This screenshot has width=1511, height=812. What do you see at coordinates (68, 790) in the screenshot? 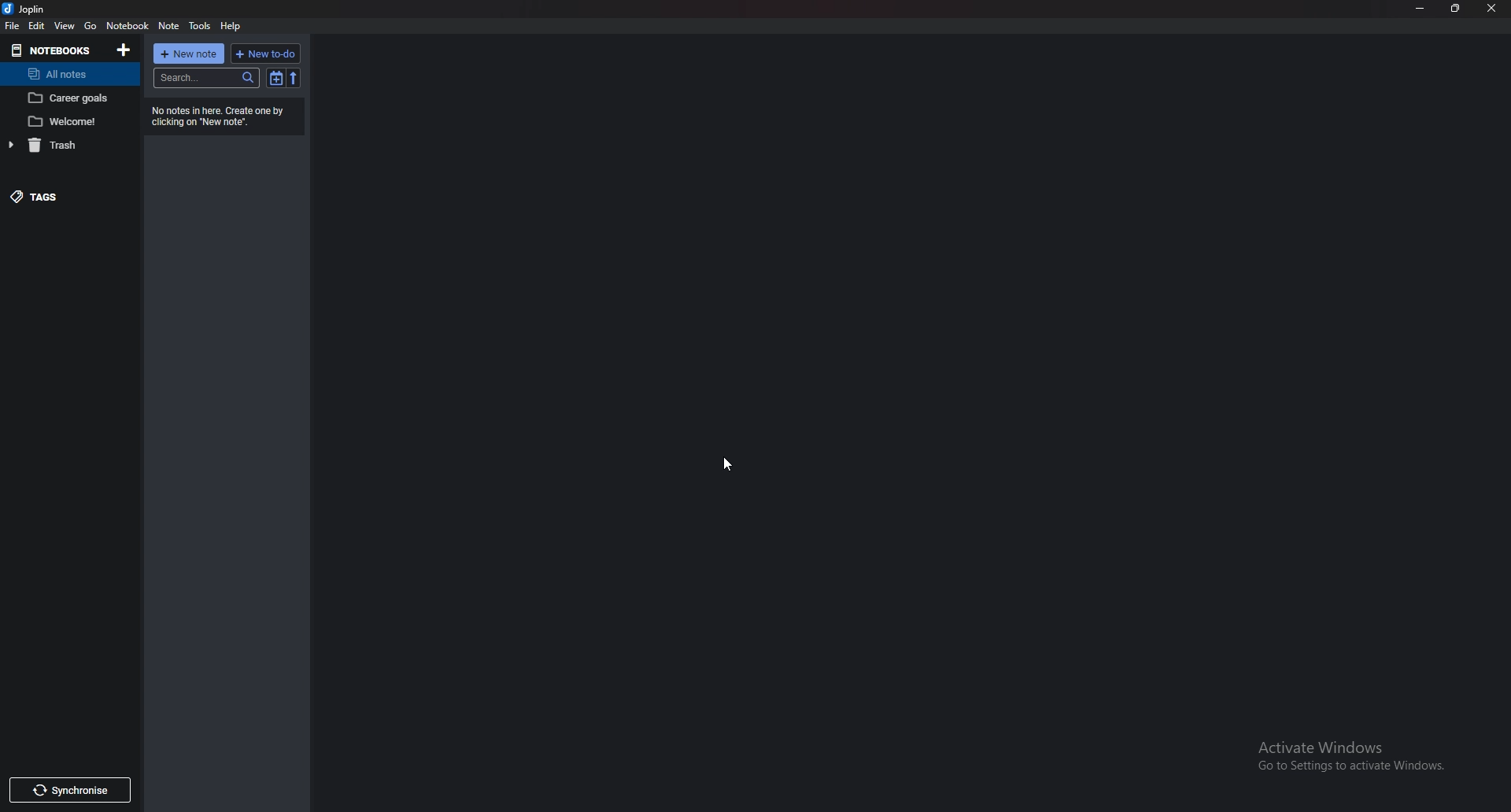
I see `sync` at bounding box center [68, 790].